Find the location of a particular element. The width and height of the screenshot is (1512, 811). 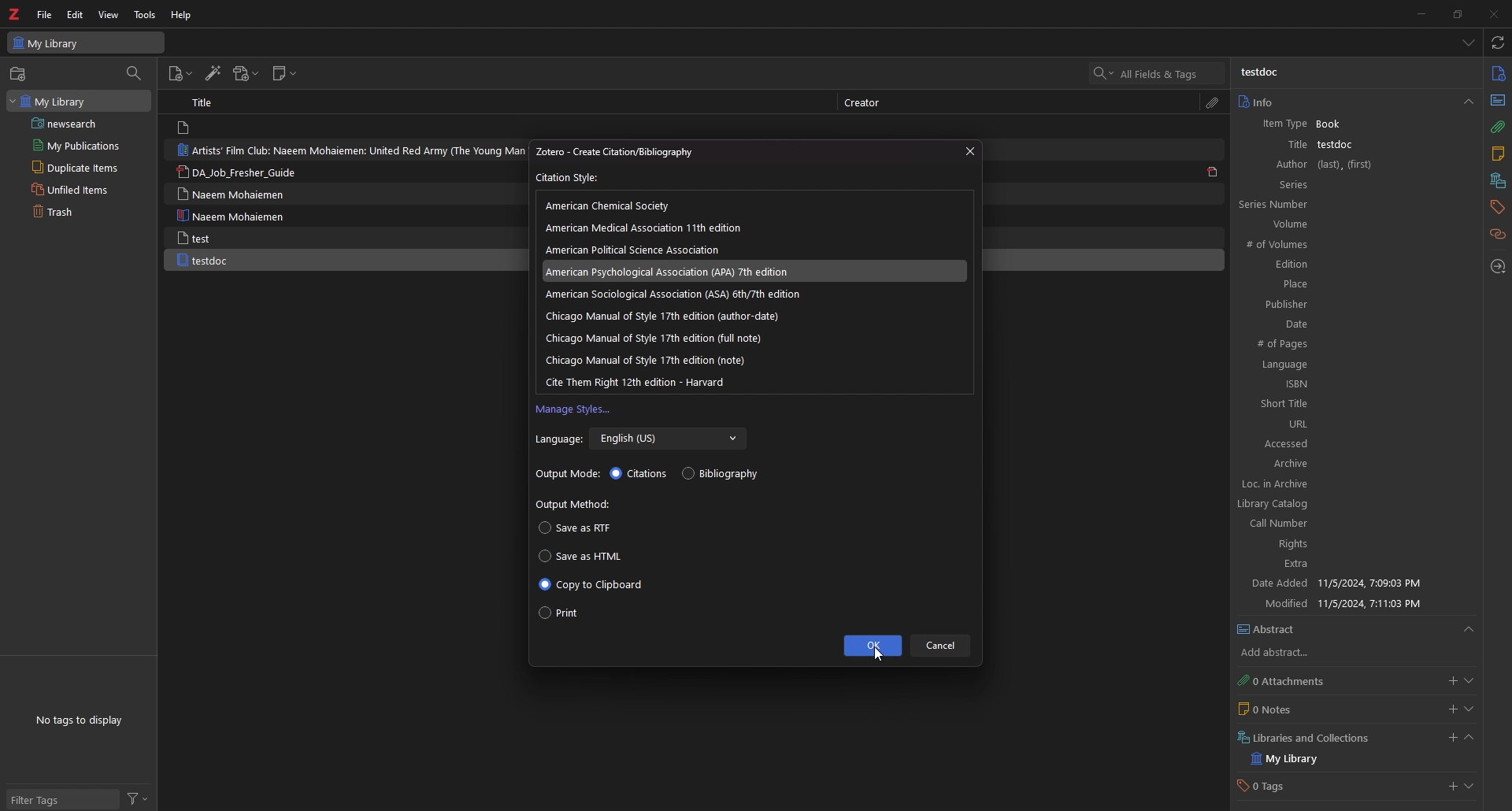

collection and libraries is located at coordinates (1496, 182).